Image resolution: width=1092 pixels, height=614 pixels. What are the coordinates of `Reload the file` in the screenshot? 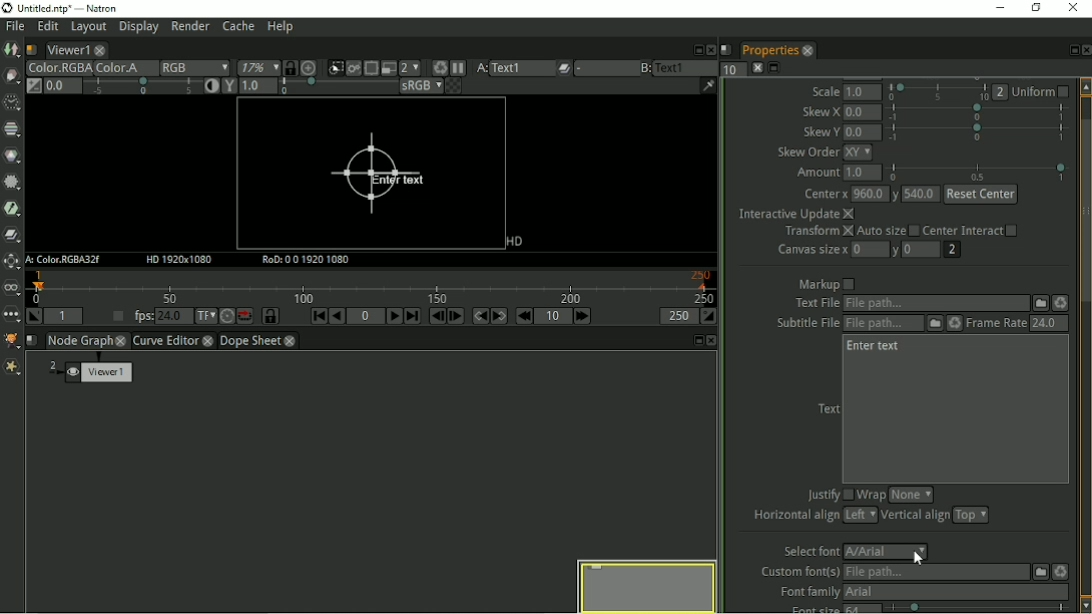 It's located at (1060, 570).